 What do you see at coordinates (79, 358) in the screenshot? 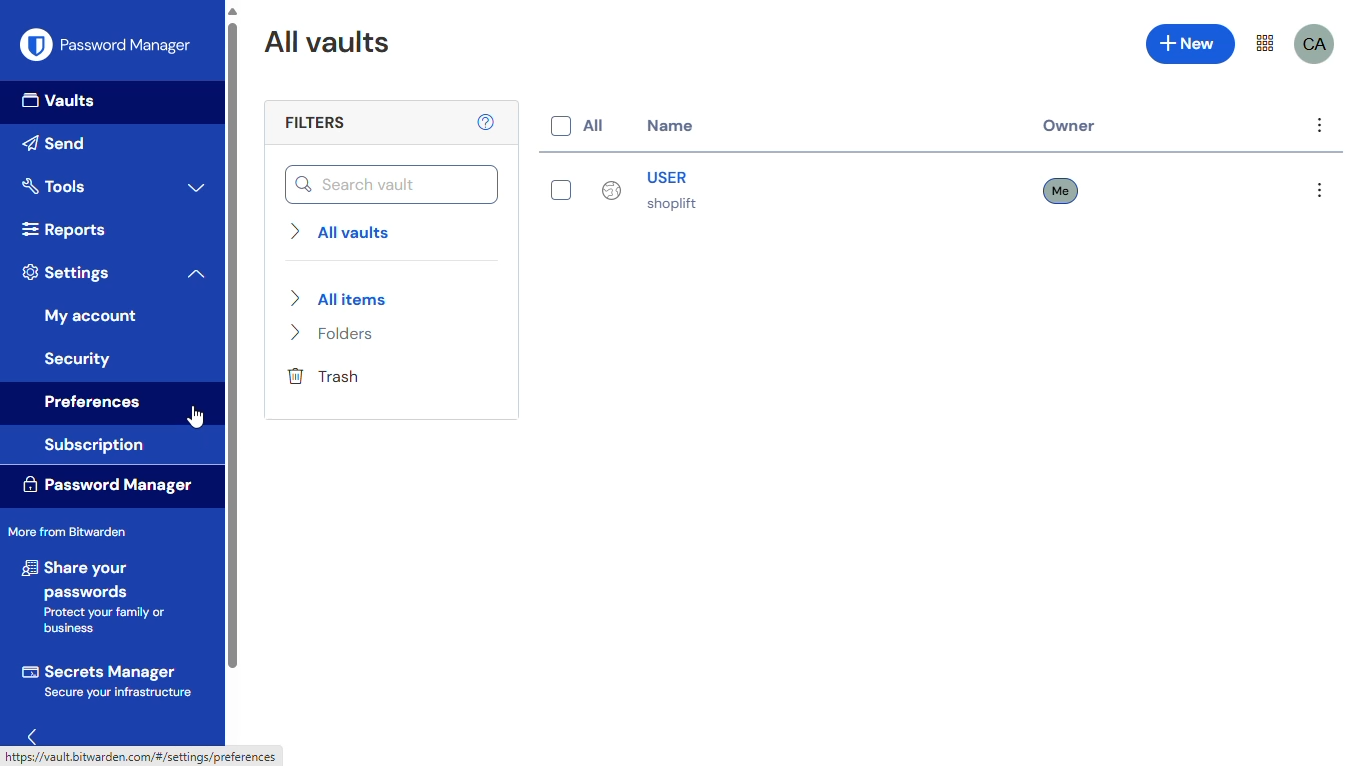
I see `security` at bounding box center [79, 358].